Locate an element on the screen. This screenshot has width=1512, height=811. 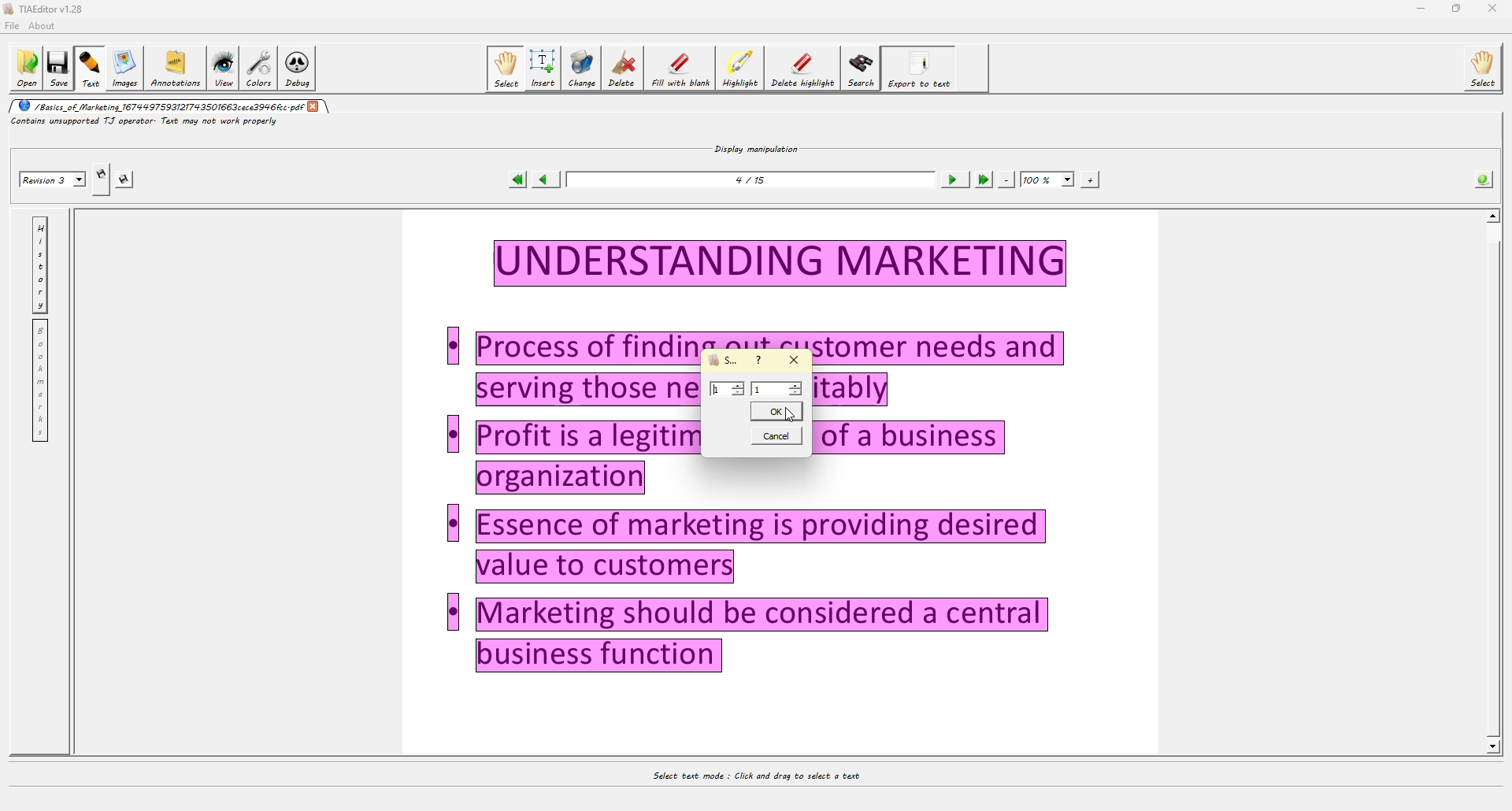
 is located at coordinates (454, 343).